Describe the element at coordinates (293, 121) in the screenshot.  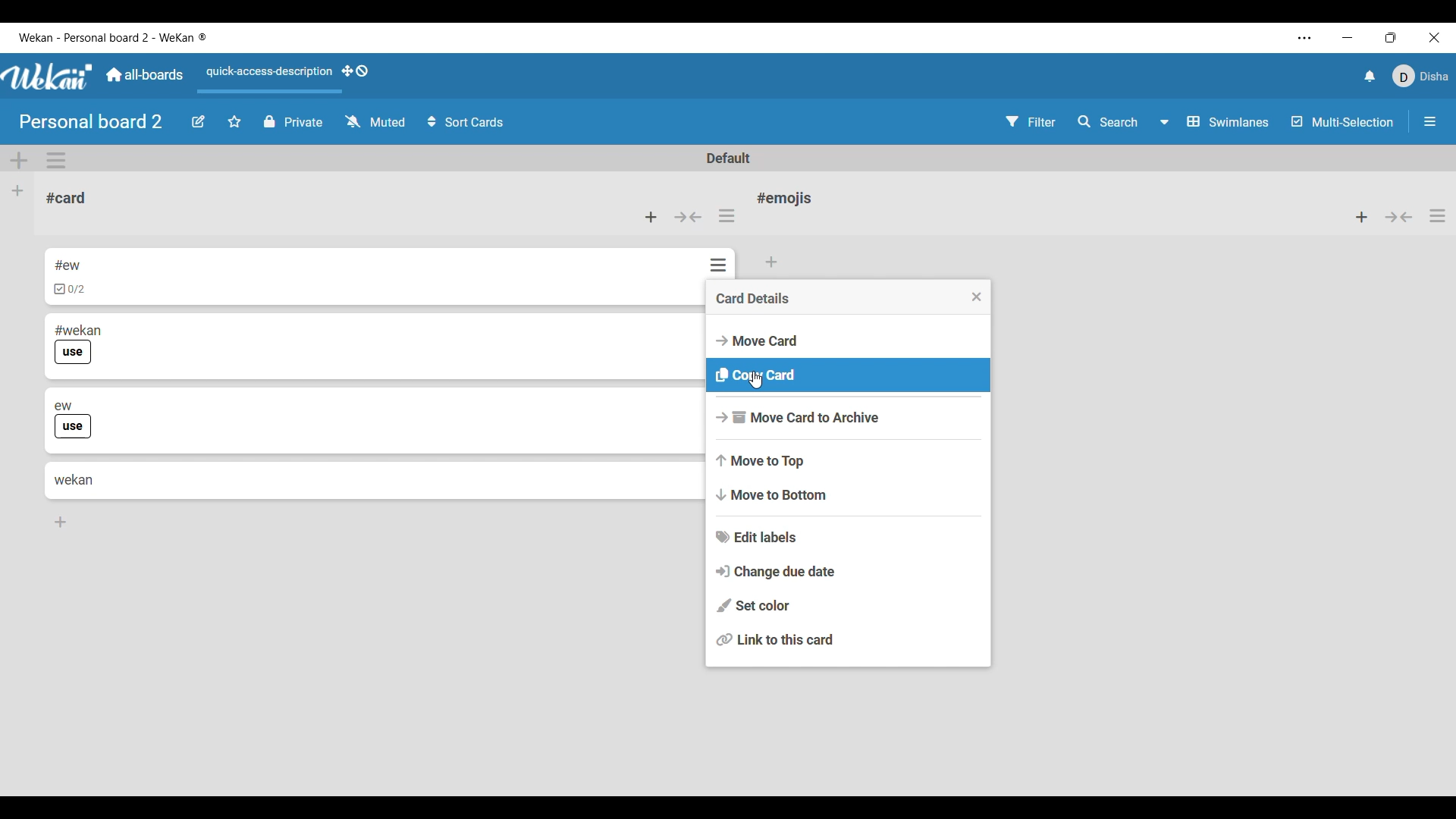
I see `Privacy of board` at that location.